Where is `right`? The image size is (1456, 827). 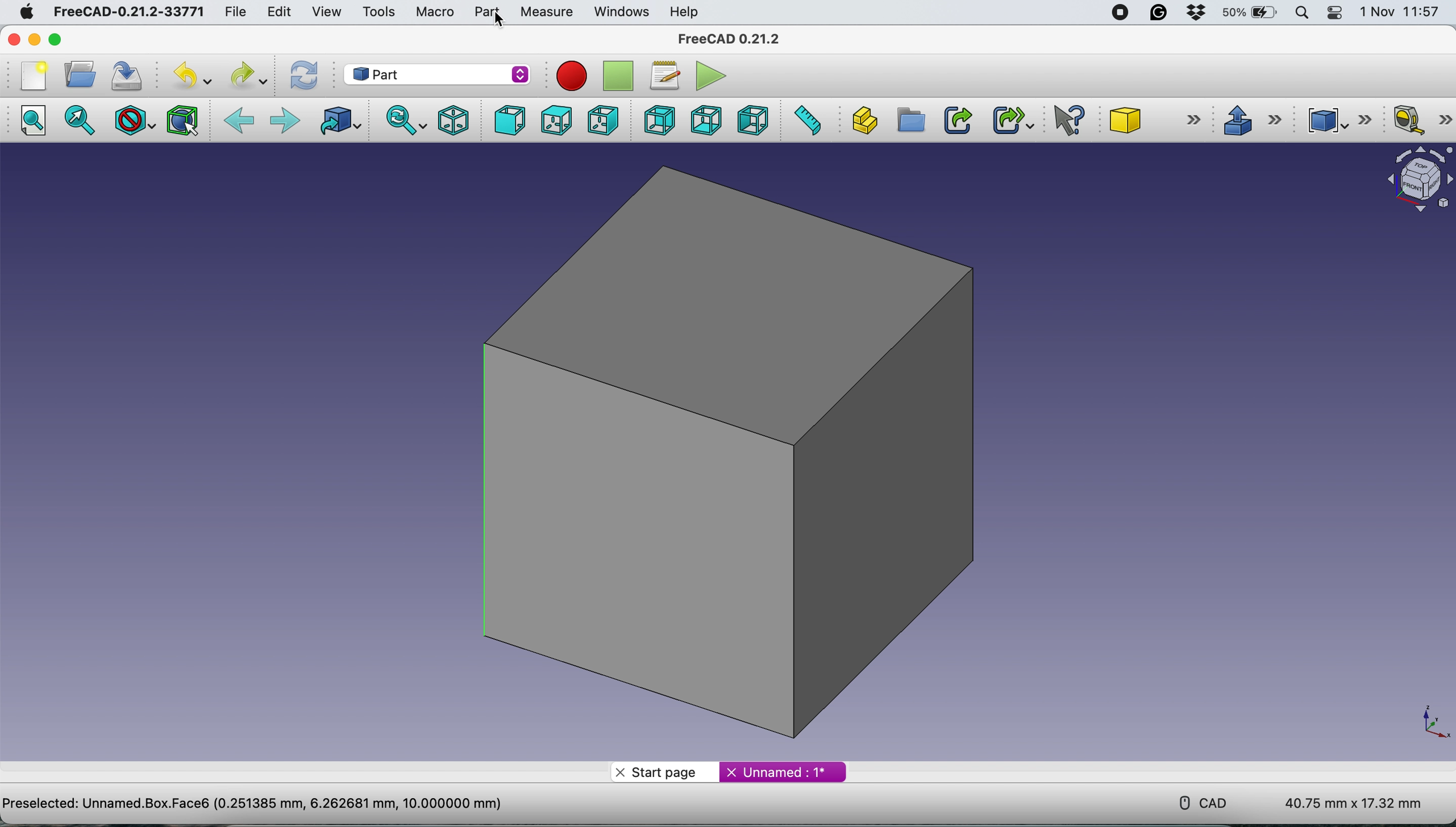 right is located at coordinates (604, 119).